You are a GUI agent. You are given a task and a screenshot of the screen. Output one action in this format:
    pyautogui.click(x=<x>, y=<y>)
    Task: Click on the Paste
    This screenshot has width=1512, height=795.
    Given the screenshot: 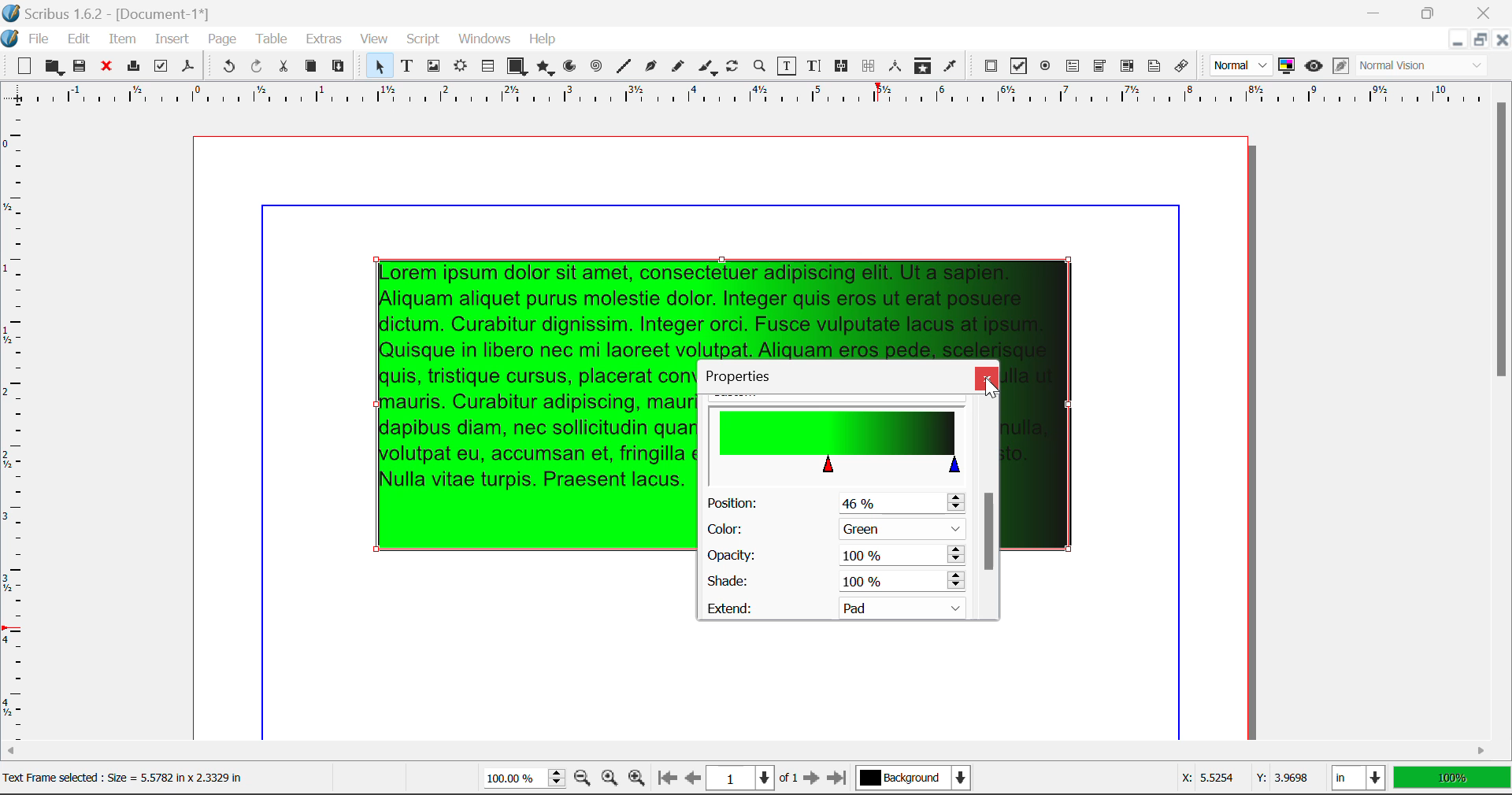 What is the action you would take?
    pyautogui.click(x=339, y=67)
    